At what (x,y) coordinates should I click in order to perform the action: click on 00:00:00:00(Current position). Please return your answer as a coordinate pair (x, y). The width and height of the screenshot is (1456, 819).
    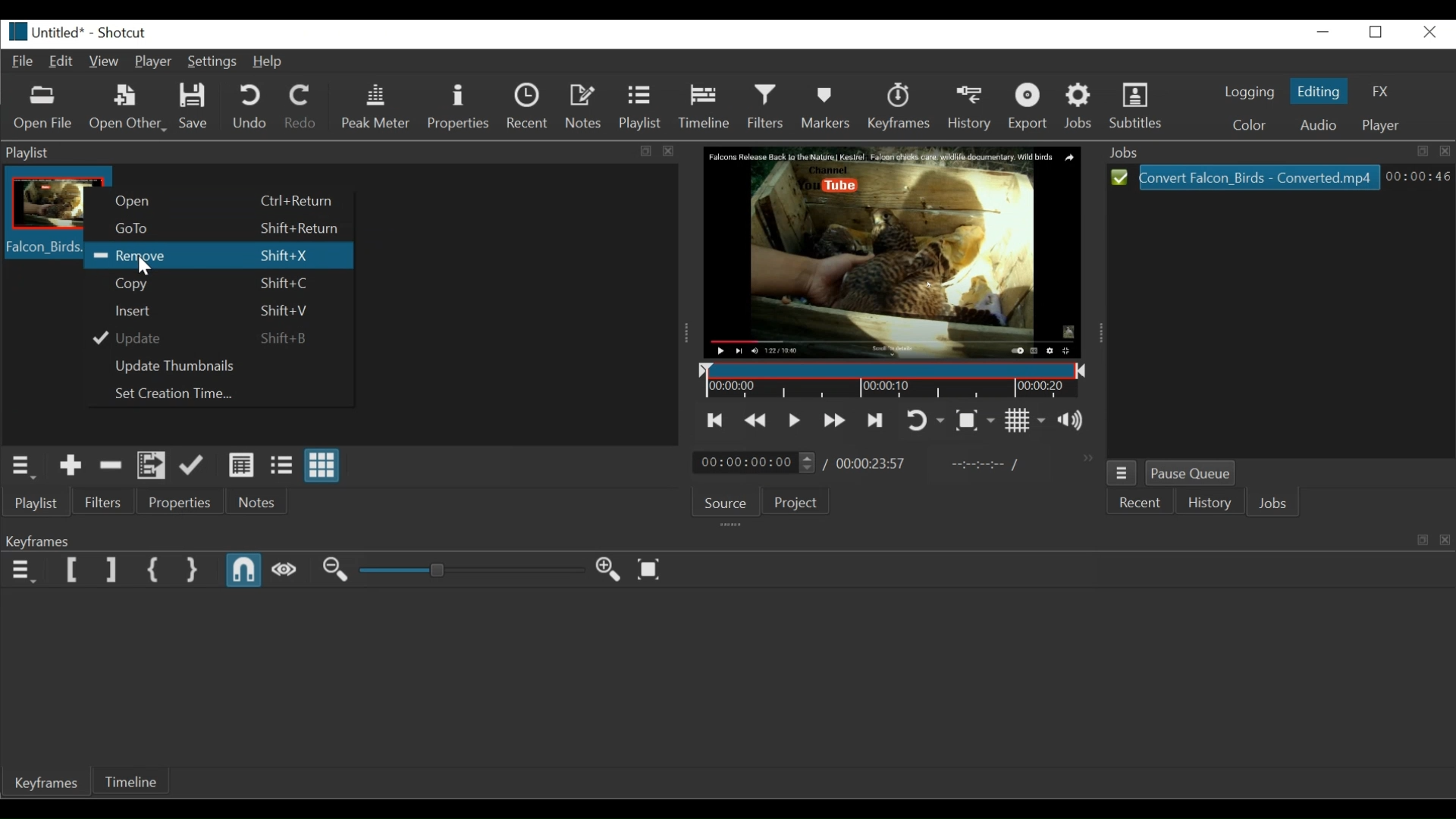
    Looking at the image, I should click on (753, 463).